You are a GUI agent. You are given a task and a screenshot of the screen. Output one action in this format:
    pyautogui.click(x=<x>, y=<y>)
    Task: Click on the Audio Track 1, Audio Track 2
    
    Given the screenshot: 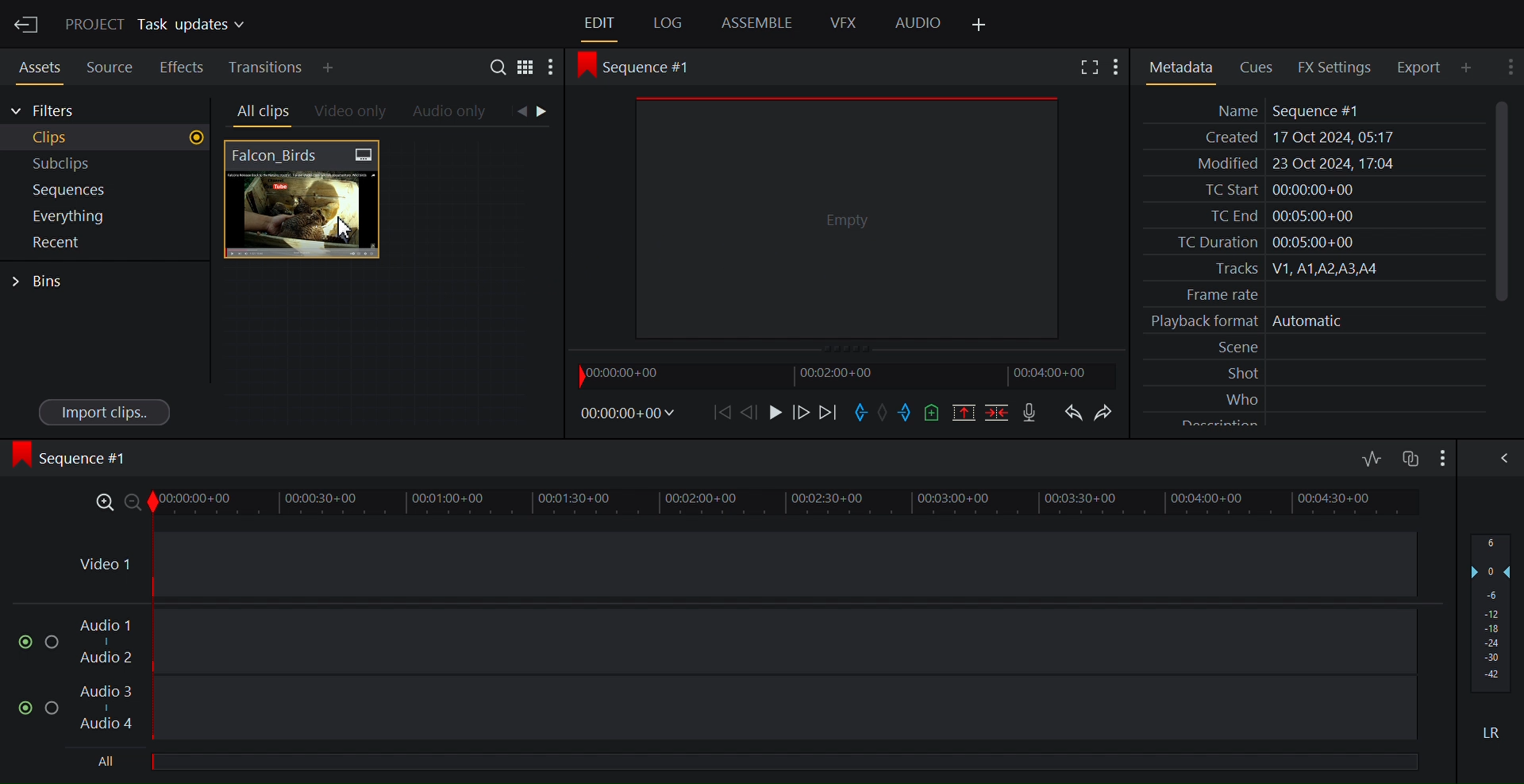 What is the action you would take?
    pyautogui.click(x=749, y=642)
    